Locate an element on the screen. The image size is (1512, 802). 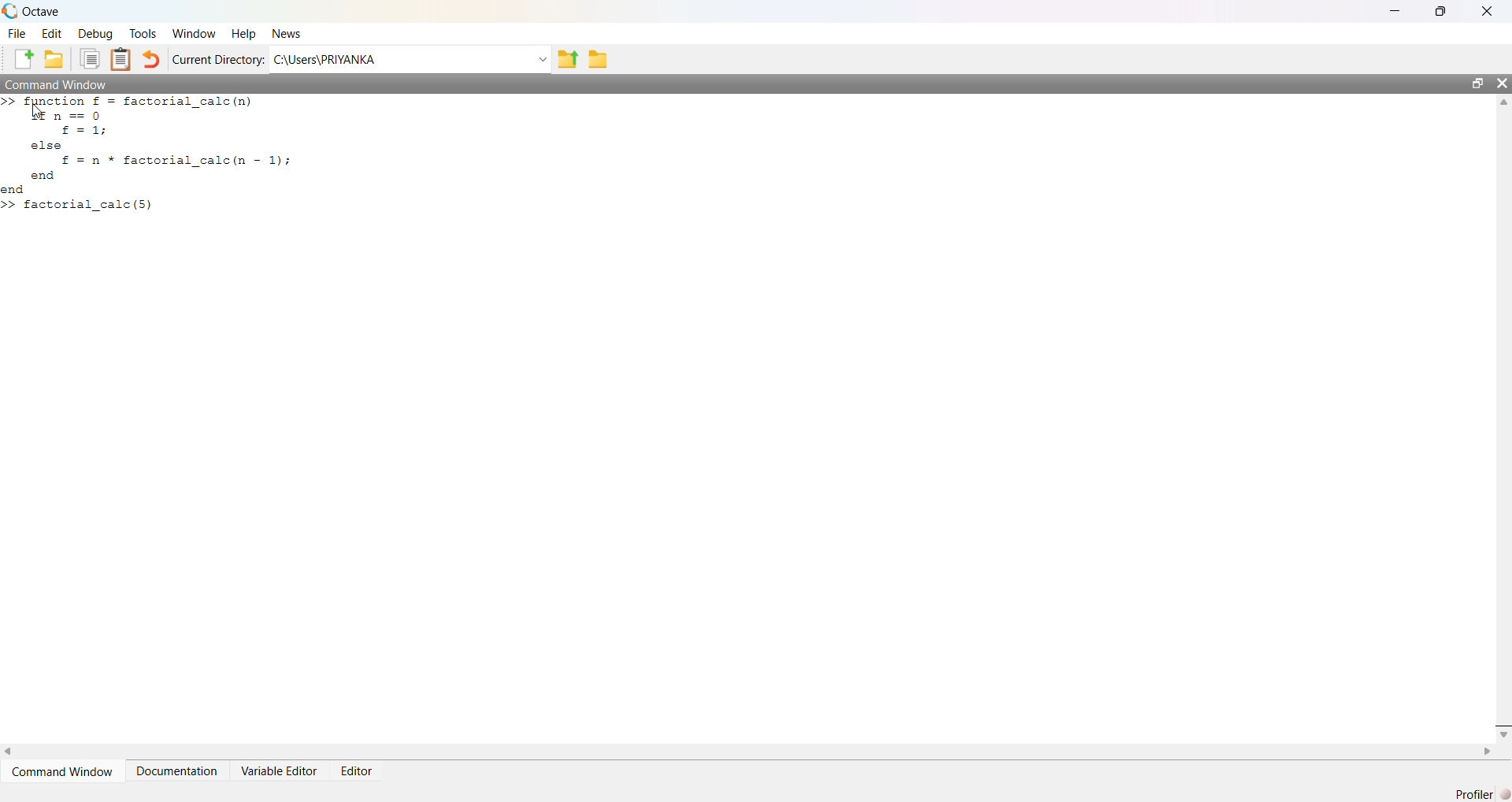
maximise is located at coordinates (1444, 9).